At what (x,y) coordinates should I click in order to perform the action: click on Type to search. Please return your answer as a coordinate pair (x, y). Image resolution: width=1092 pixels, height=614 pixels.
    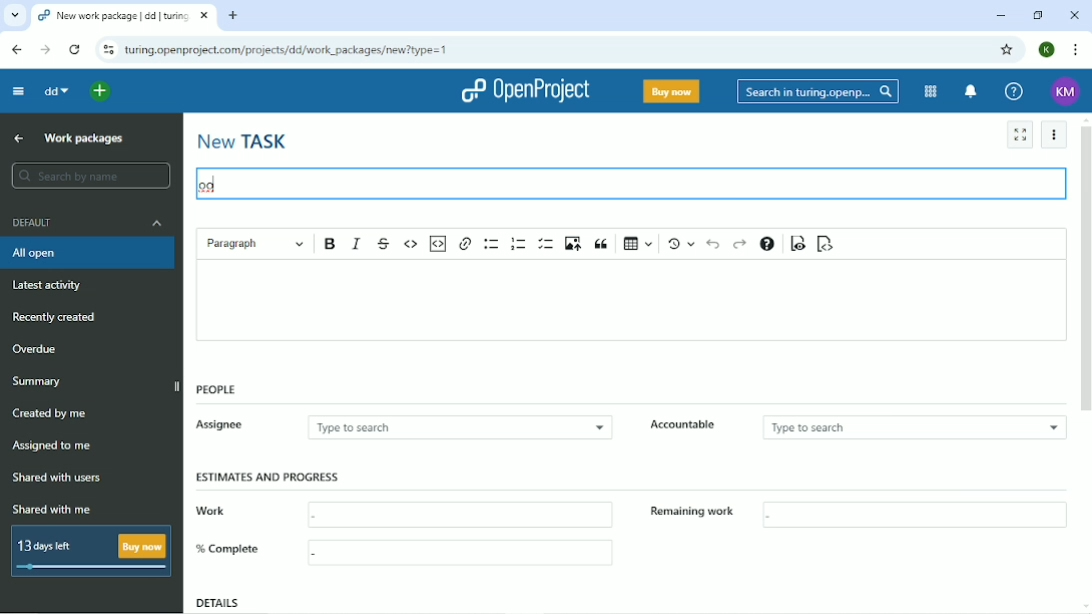
    Looking at the image, I should click on (451, 429).